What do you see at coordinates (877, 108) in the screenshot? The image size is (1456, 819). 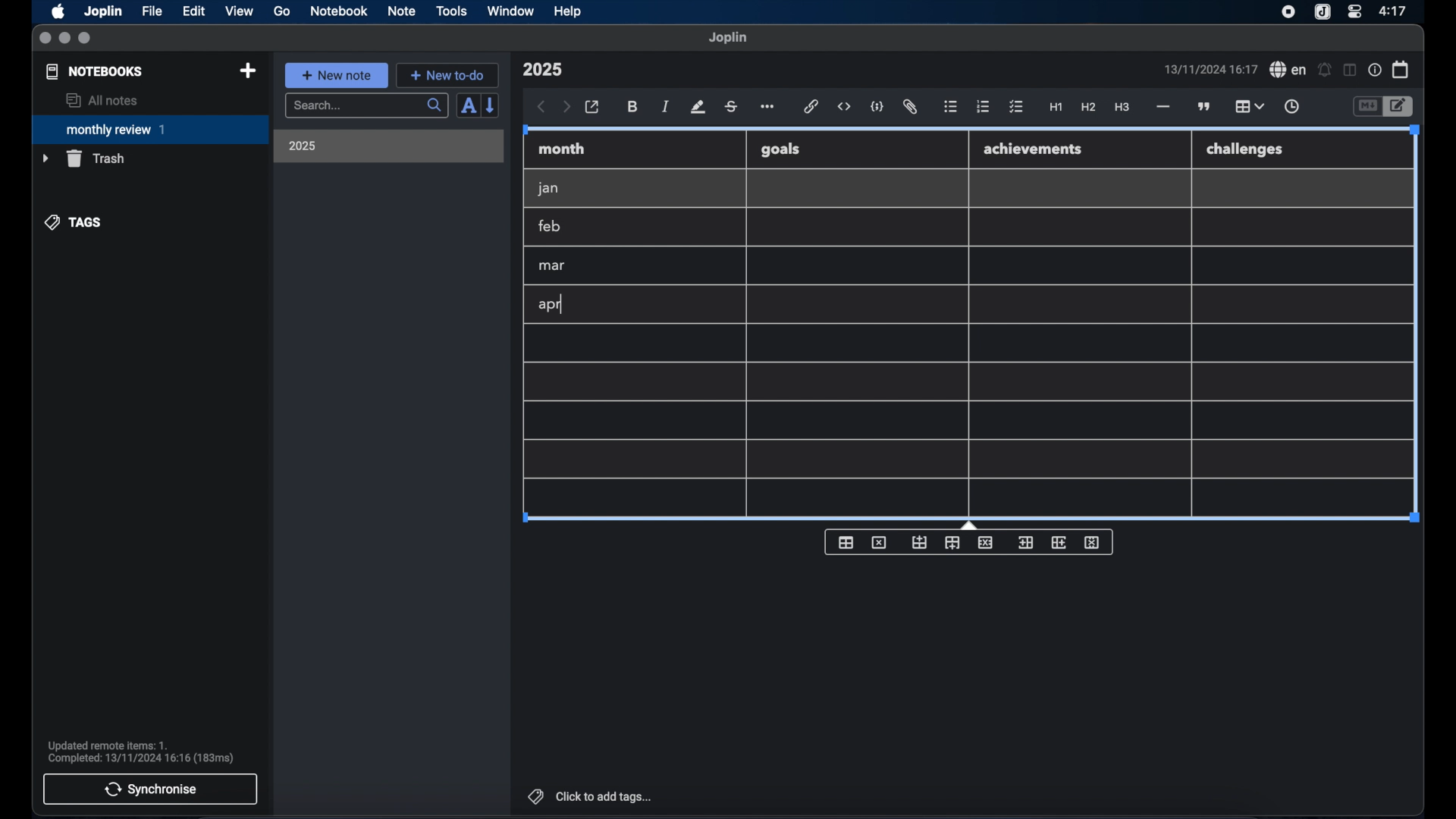 I see `code` at bounding box center [877, 108].